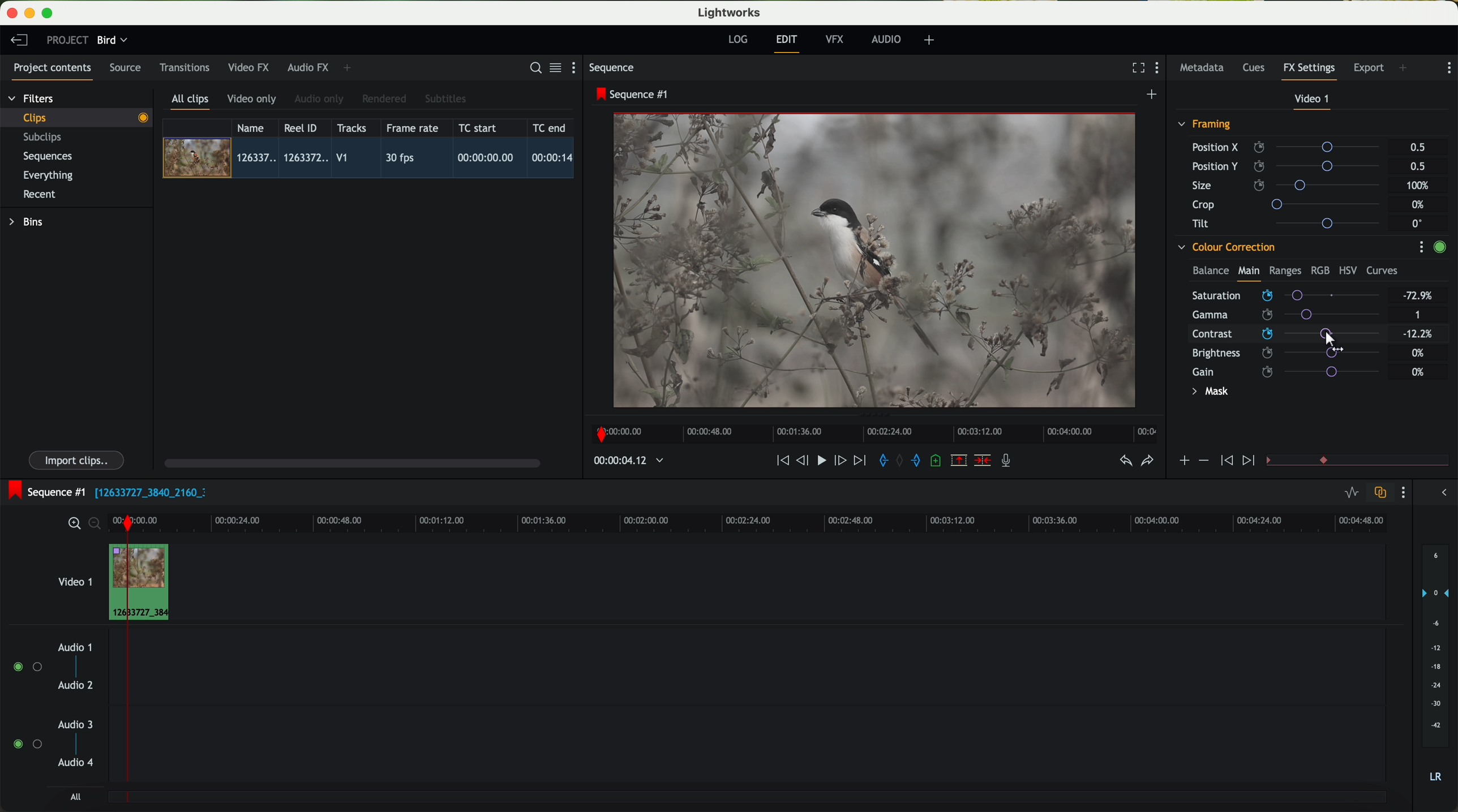 The height and width of the screenshot is (812, 1458). Describe the element at coordinates (67, 40) in the screenshot. I see `project` at that location.